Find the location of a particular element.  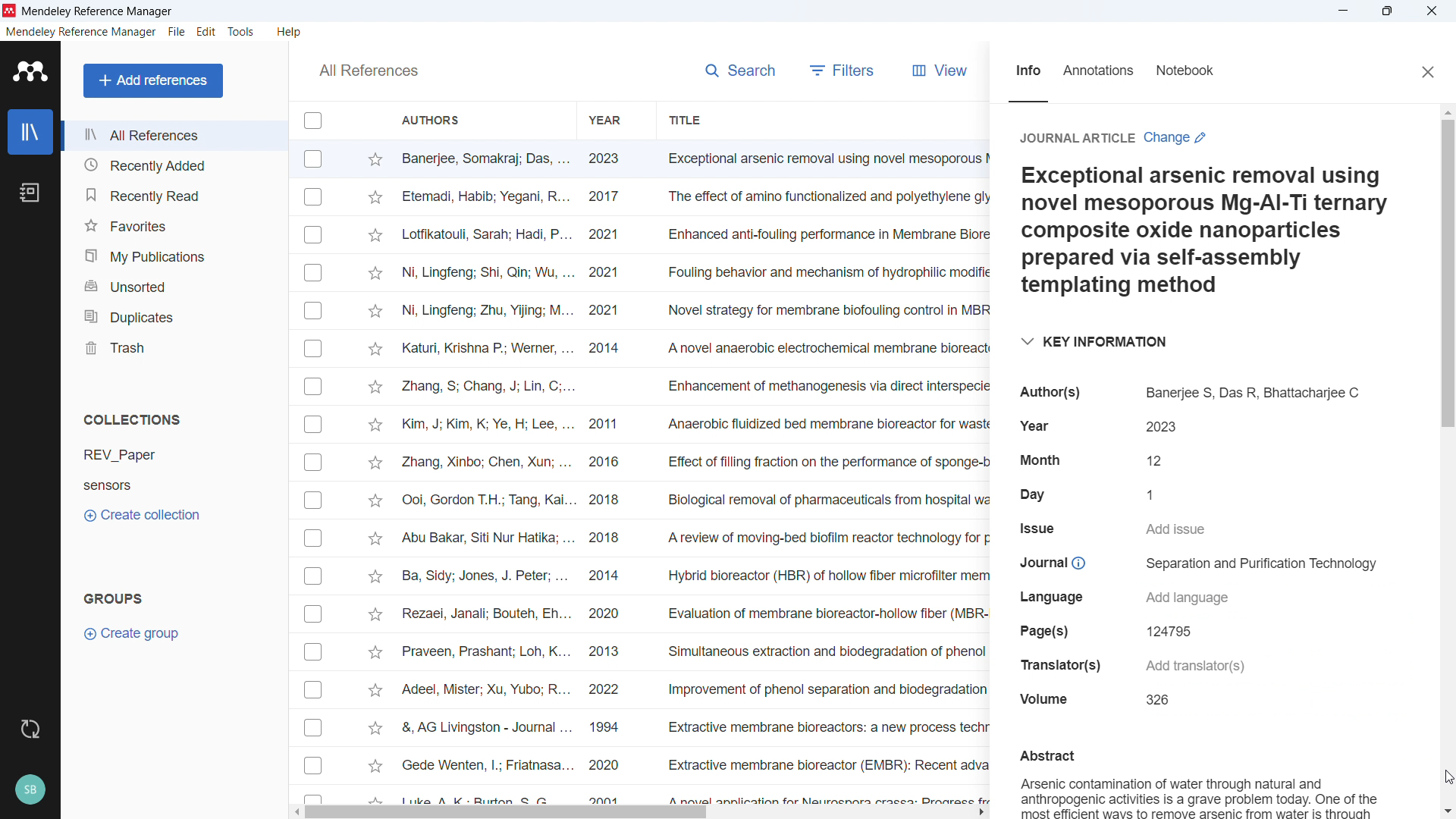

2016 is located at coordinates (610, 463).